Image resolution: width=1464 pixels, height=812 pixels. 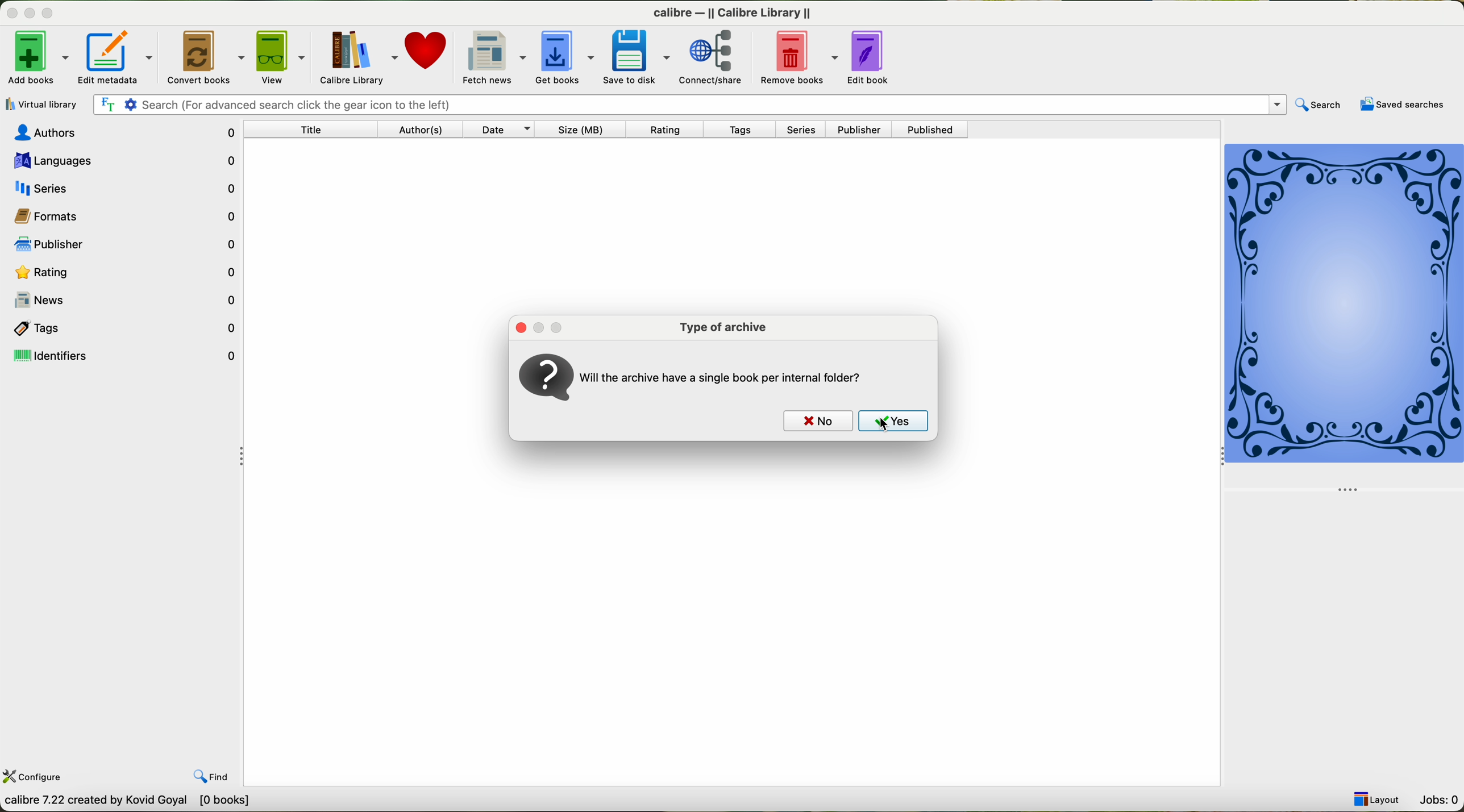 I want to click on published, so click(x=933, y=130).